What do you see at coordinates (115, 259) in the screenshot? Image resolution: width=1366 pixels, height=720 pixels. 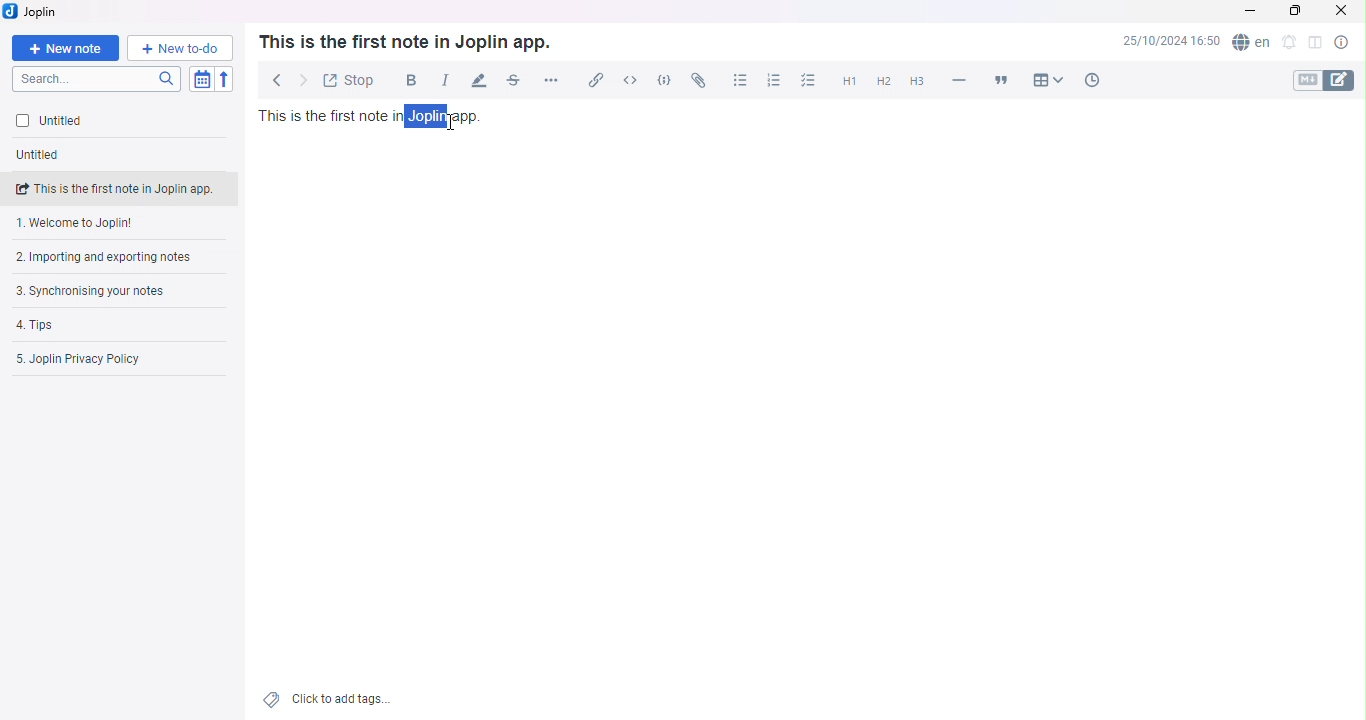 I see `Importing and exporting notes` at bounding box center [115, 259].